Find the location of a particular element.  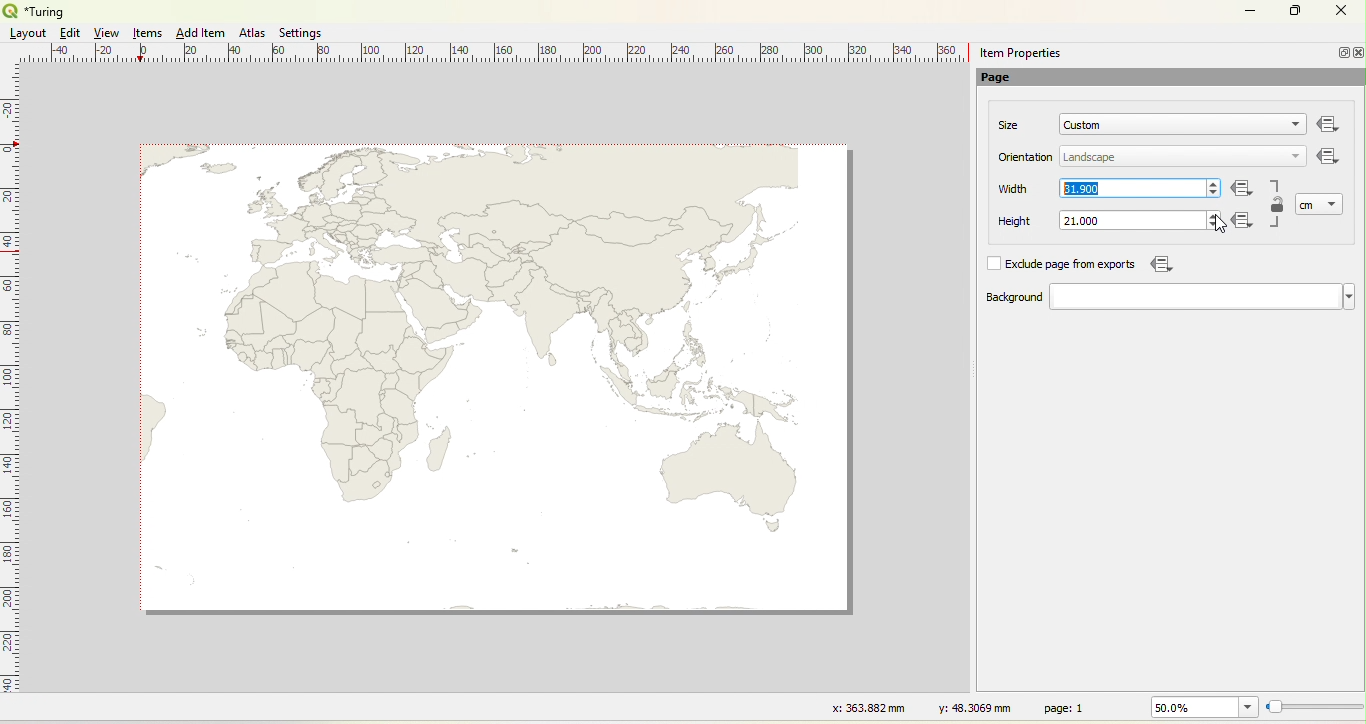

Atlas is located at coordinates (252, 32).